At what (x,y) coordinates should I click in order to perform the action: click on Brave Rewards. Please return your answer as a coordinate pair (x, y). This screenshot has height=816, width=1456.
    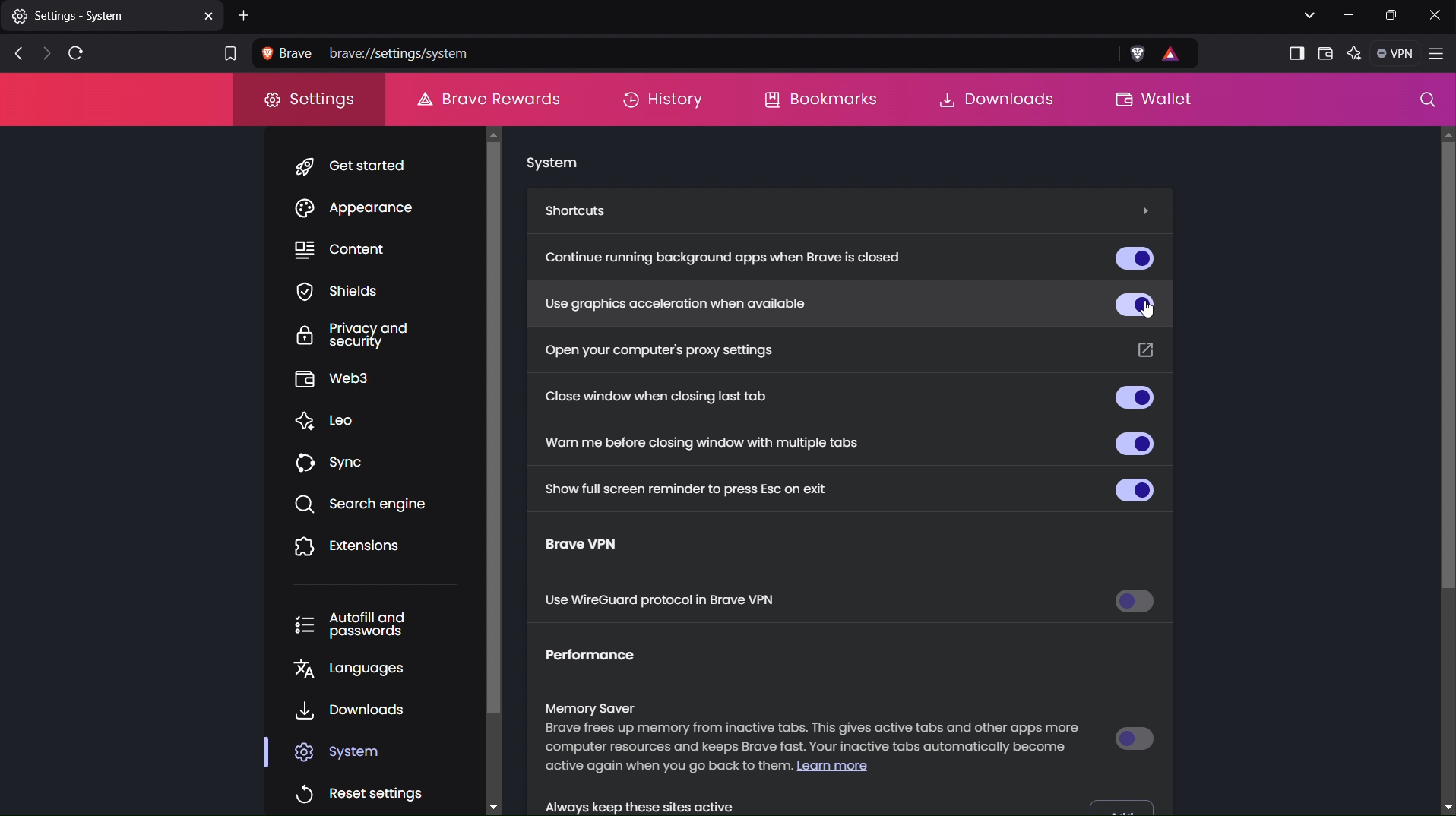
    Looking at the image, I should click on (487, 97).